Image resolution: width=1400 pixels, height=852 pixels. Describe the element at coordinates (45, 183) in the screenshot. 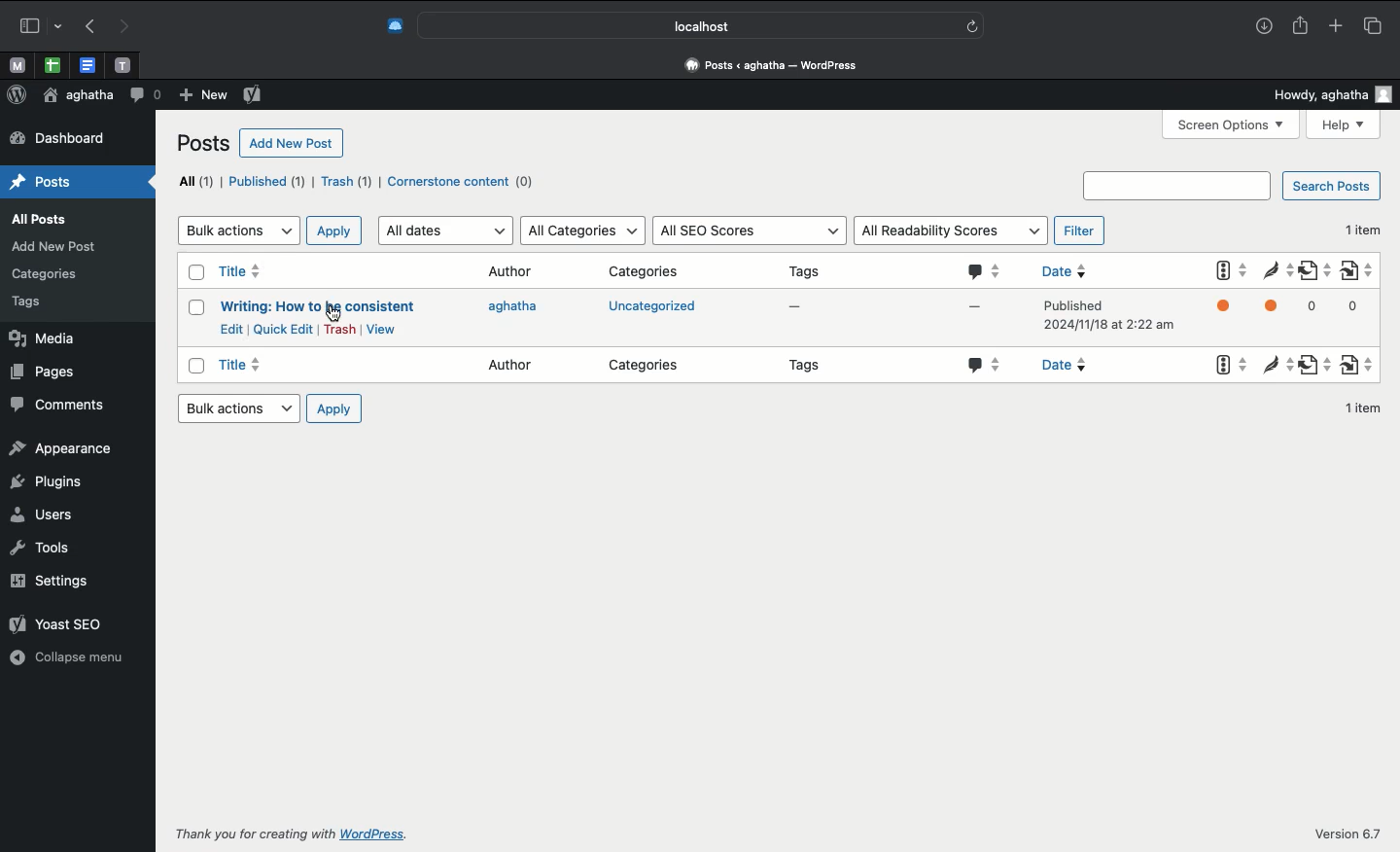

I see `posts` at that location.